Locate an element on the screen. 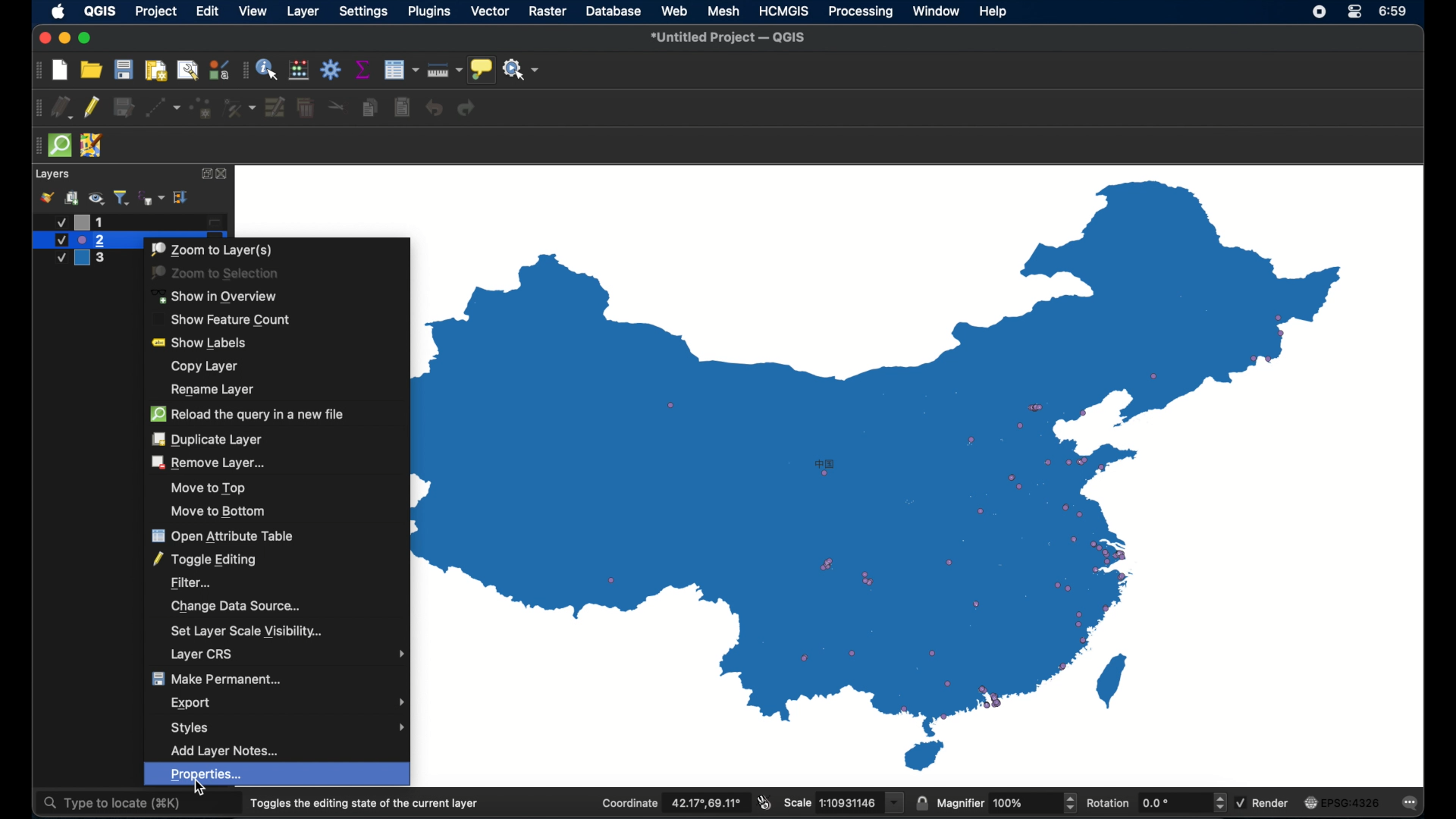 This screenshot has height=819, width=1456. apple icon is located at coordinates (59, 11).